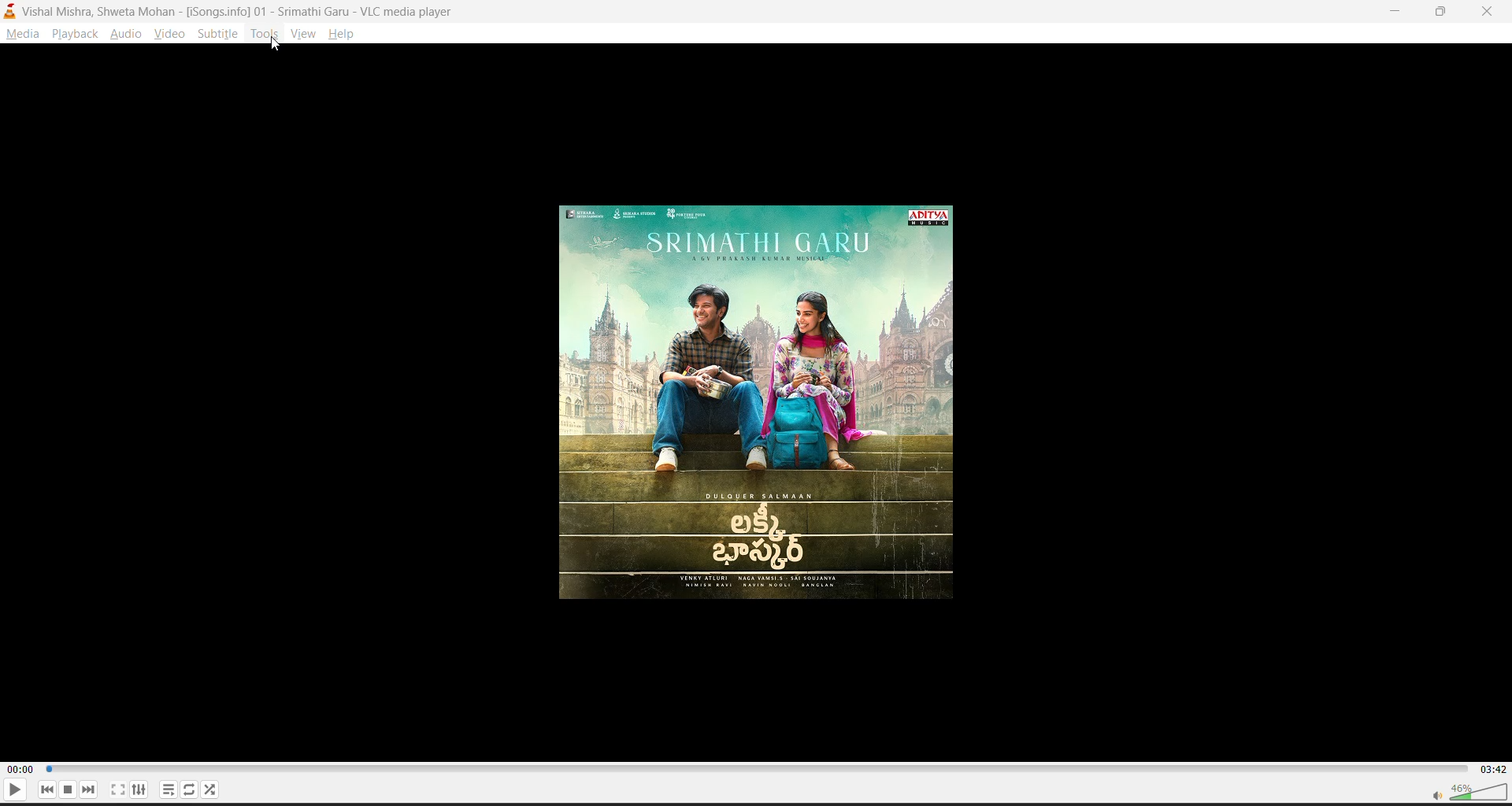  I want to click on view, so click(306, 37).